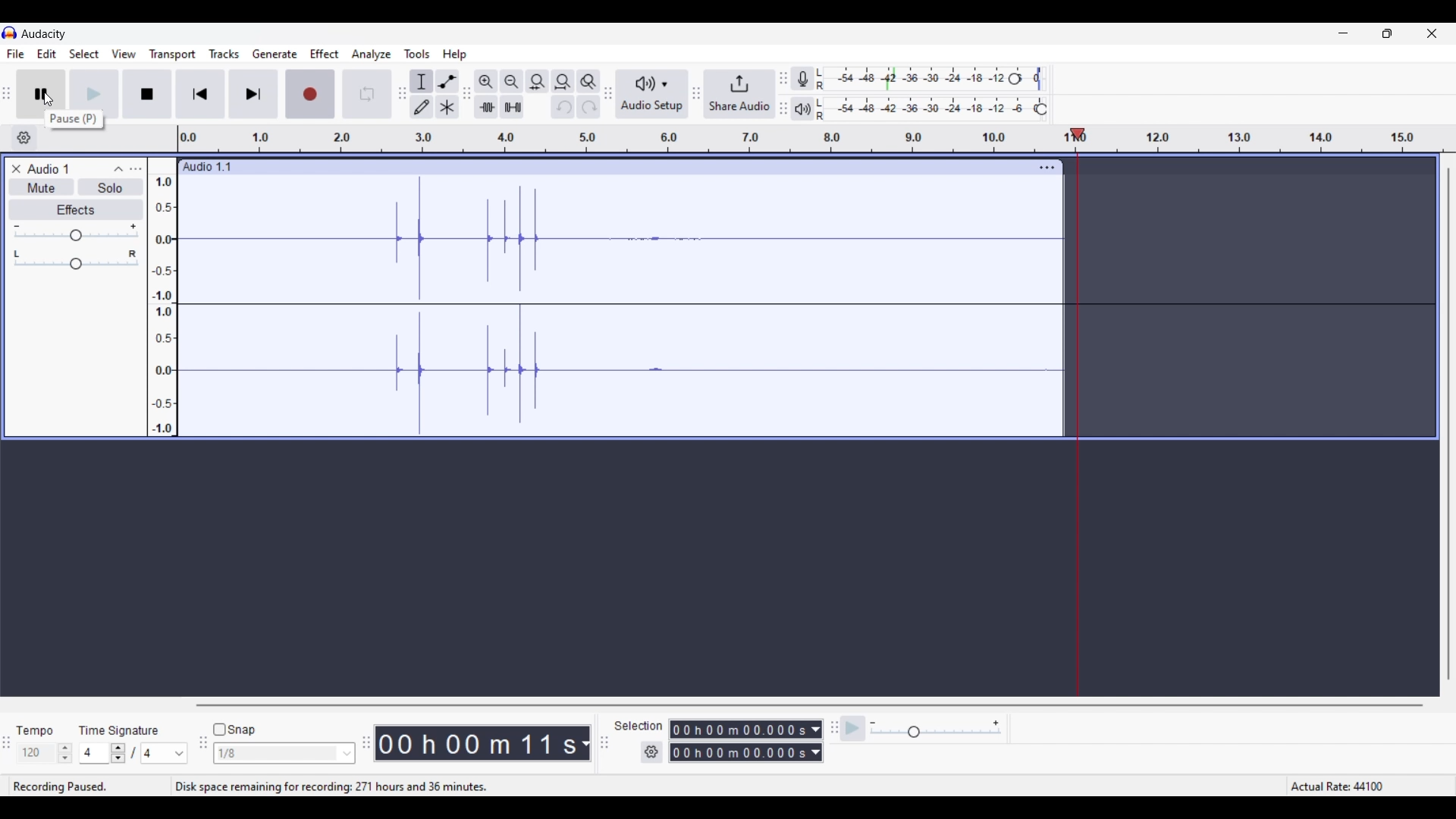 This screenshot has width=1456, height=819. What do you see at coordinates (585, 744) in the screenshot?
I see `Measurement for record audio duration` at bounding box center [585, 744].